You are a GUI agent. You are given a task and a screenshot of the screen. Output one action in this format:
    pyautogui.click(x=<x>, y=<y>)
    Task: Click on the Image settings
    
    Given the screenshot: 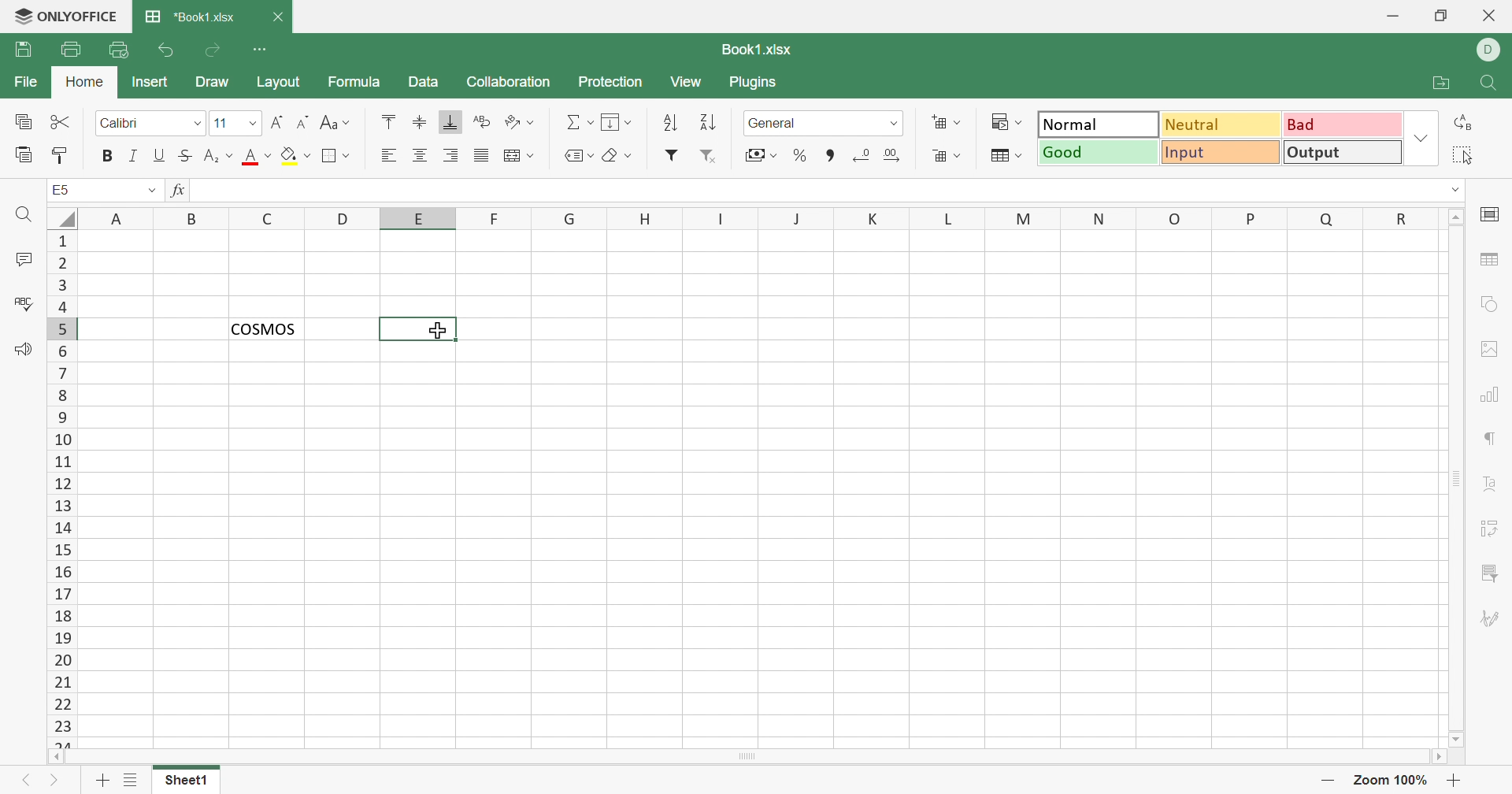 What is the action you would take?
    pyautogui.click(x=1489, y=350)
    